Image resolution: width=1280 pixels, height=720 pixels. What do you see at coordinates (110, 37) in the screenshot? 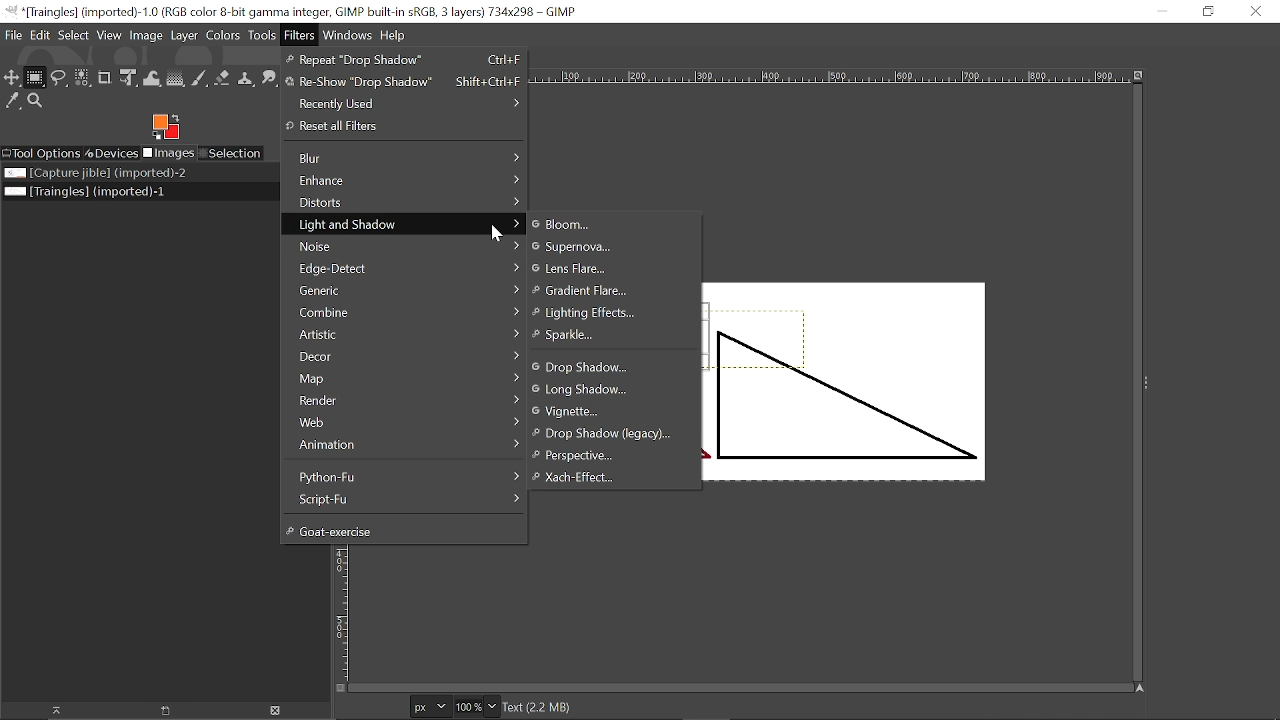
I see `View` at bounding box center [110, 37].